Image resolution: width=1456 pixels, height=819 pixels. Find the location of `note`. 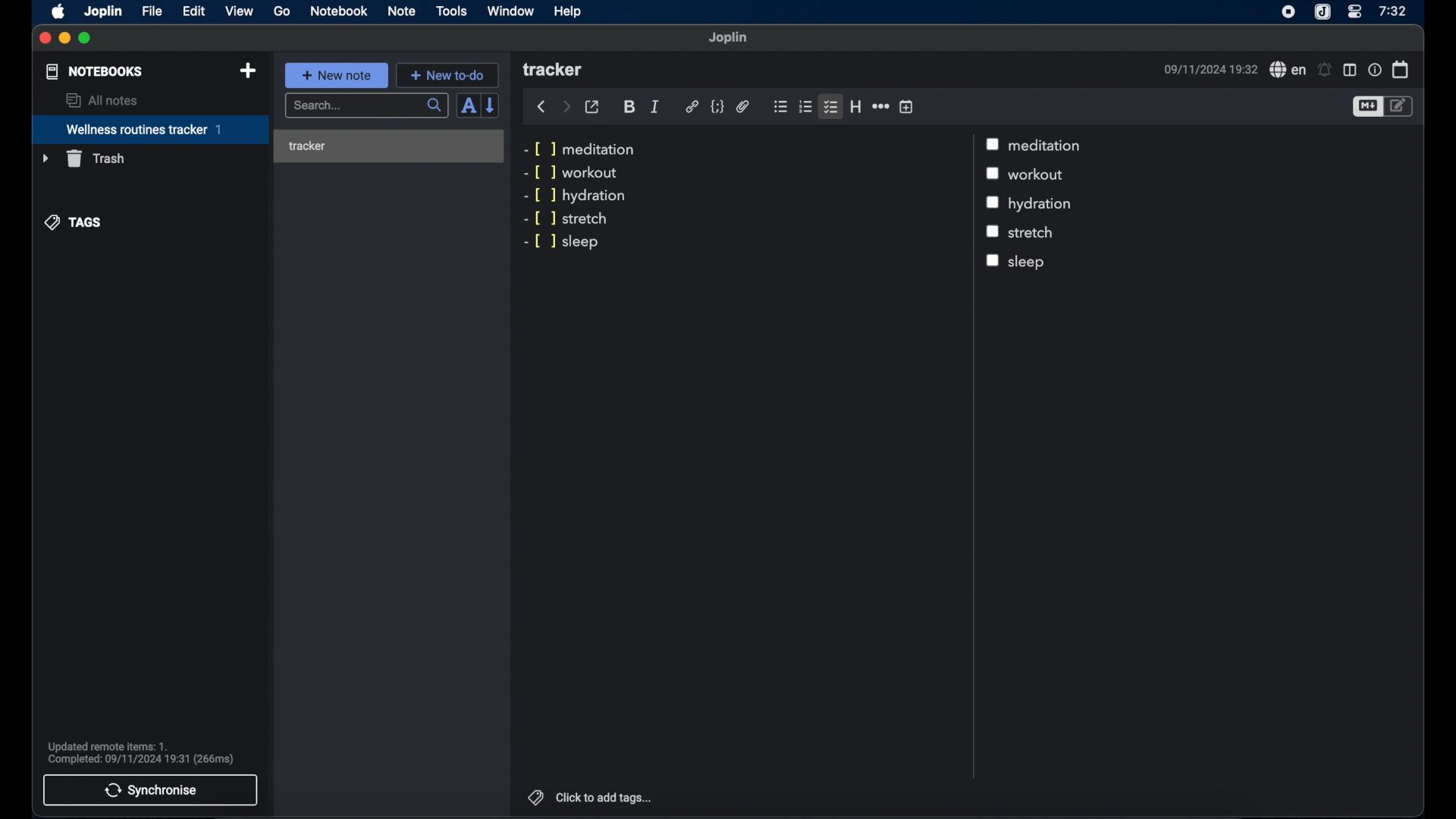

note is located at coordinates (402, 12).